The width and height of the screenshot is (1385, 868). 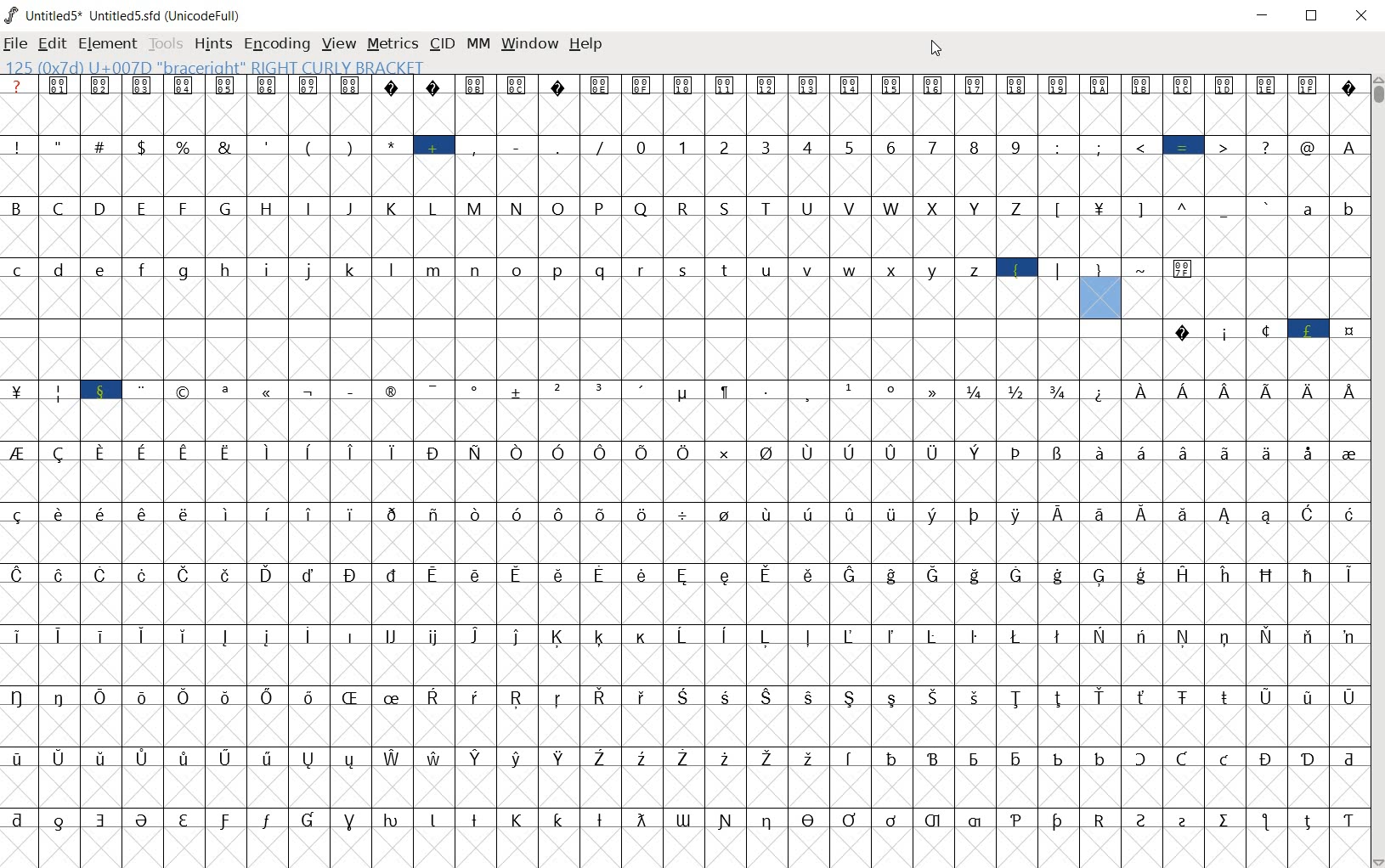 I want to click on MM, so click(x=478, y=45).